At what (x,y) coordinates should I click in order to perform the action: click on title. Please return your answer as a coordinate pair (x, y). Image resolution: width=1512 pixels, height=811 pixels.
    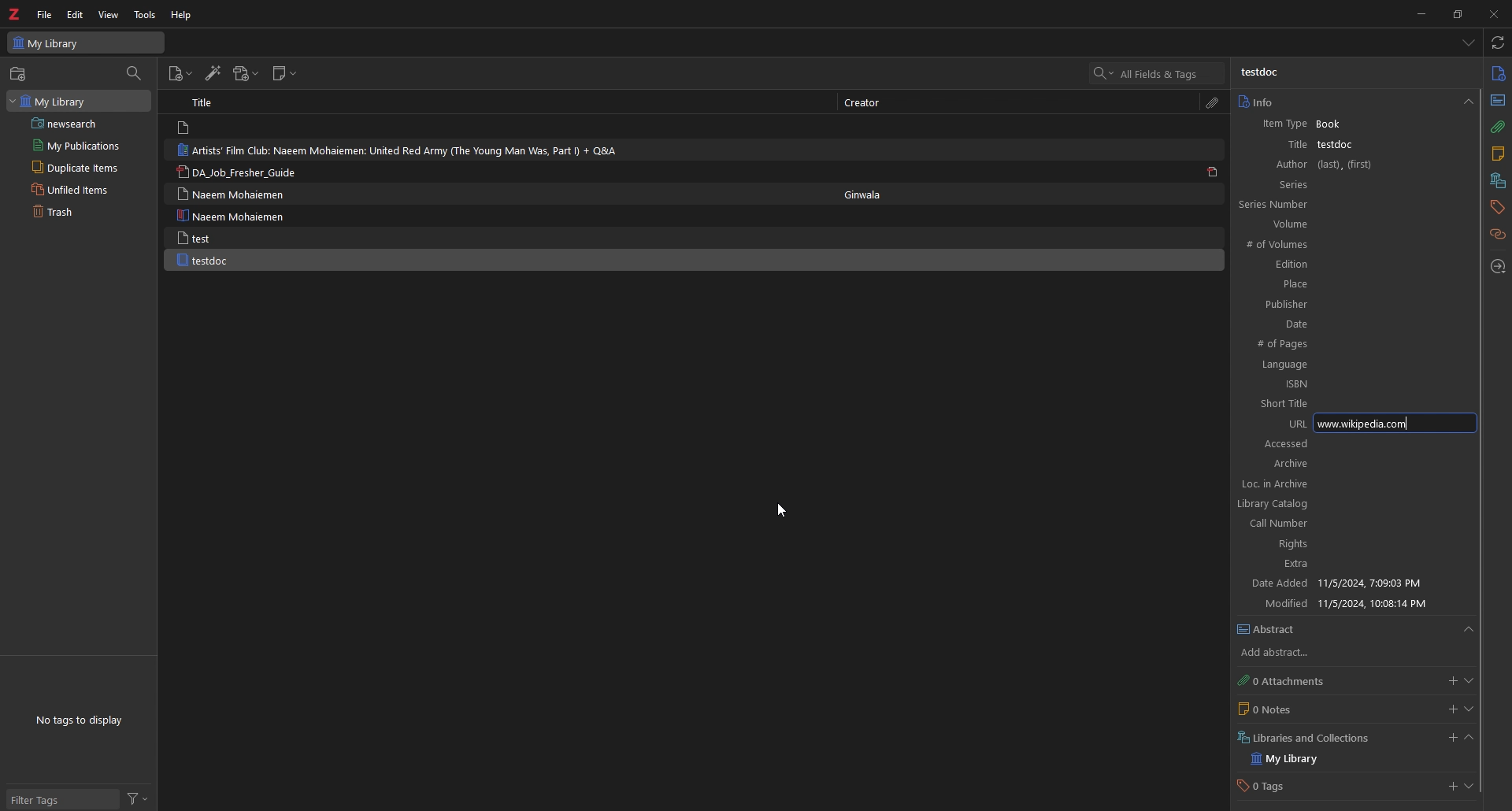
    Looking at the image, I should click on (1291, 145).